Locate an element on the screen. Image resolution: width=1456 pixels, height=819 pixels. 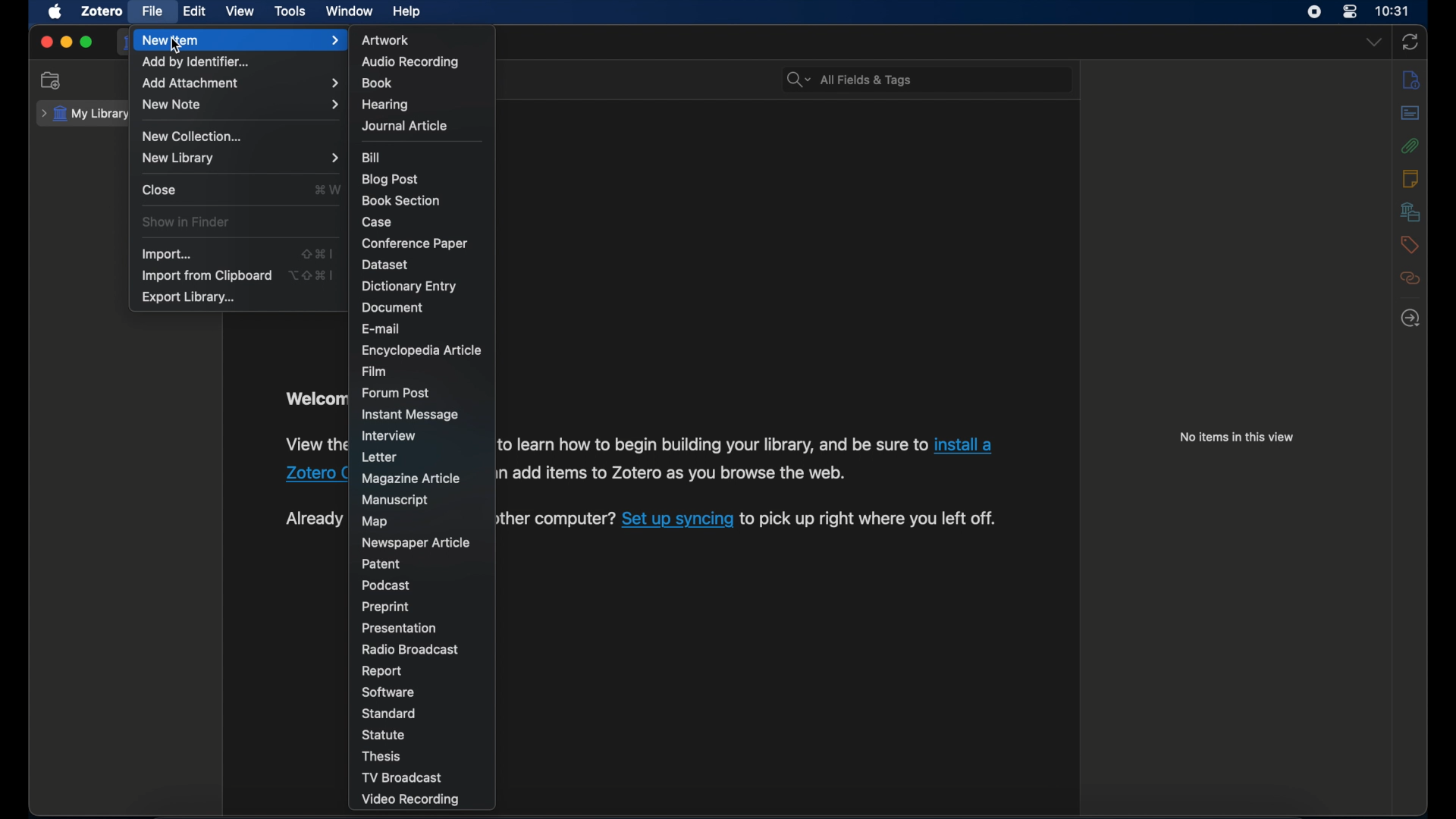
import is located at coordinates (318, 253).